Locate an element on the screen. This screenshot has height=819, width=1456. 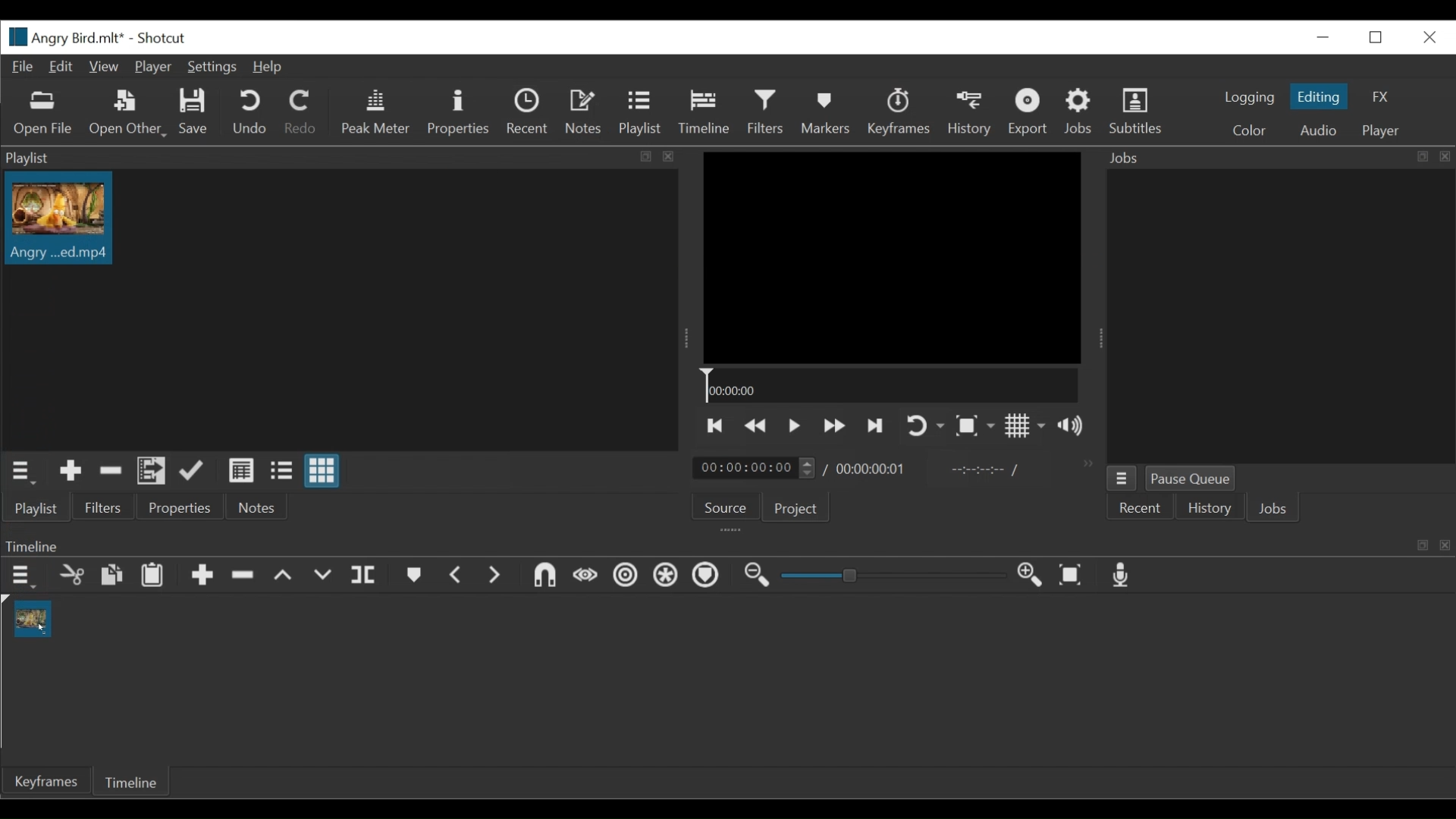
Zoom timeline in is located at coordinates (1026, 573).